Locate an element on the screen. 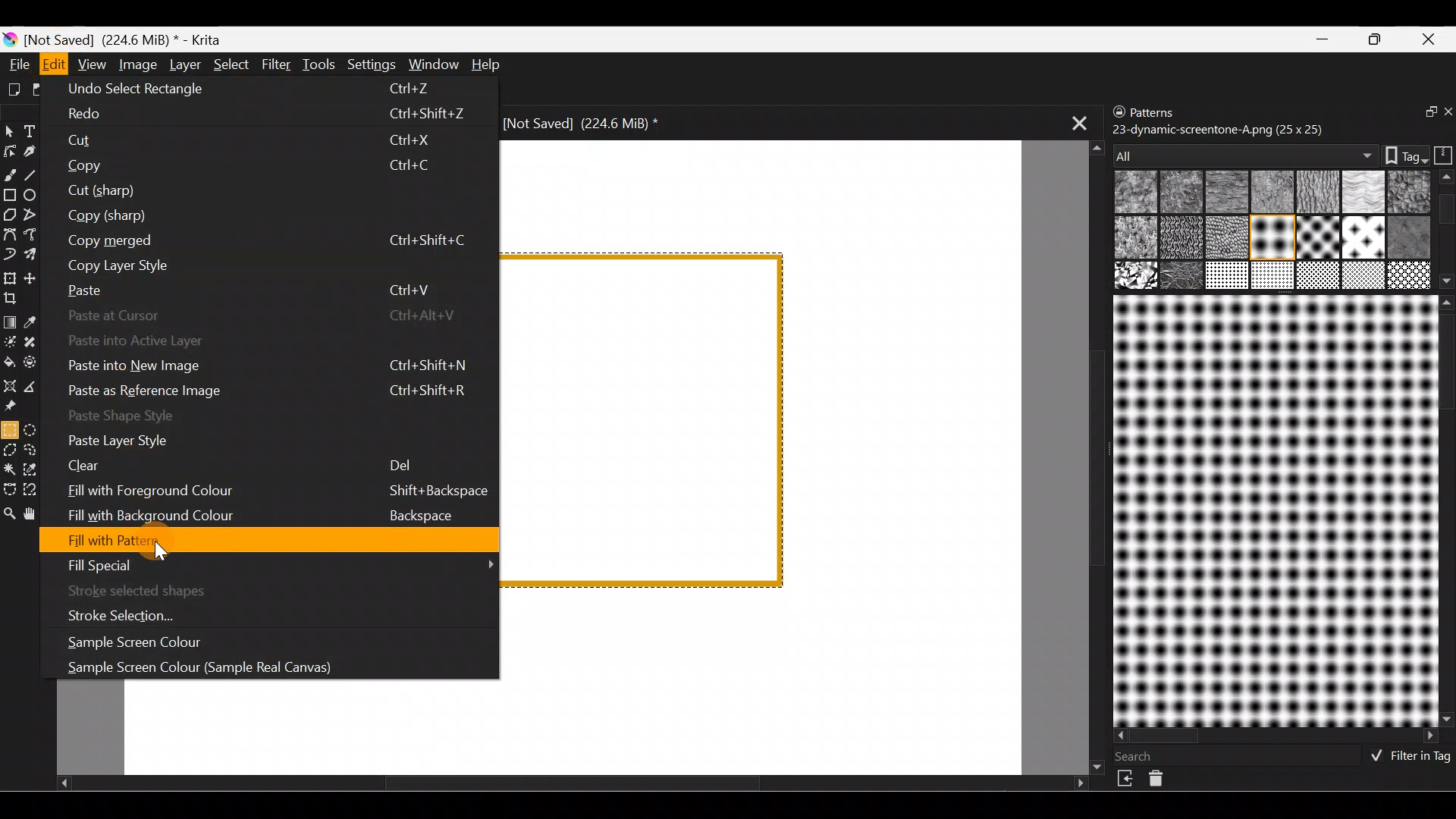 The width and height of the screenshot is (1456, 819). Smart patch tool is located at coordinates (39, 344).